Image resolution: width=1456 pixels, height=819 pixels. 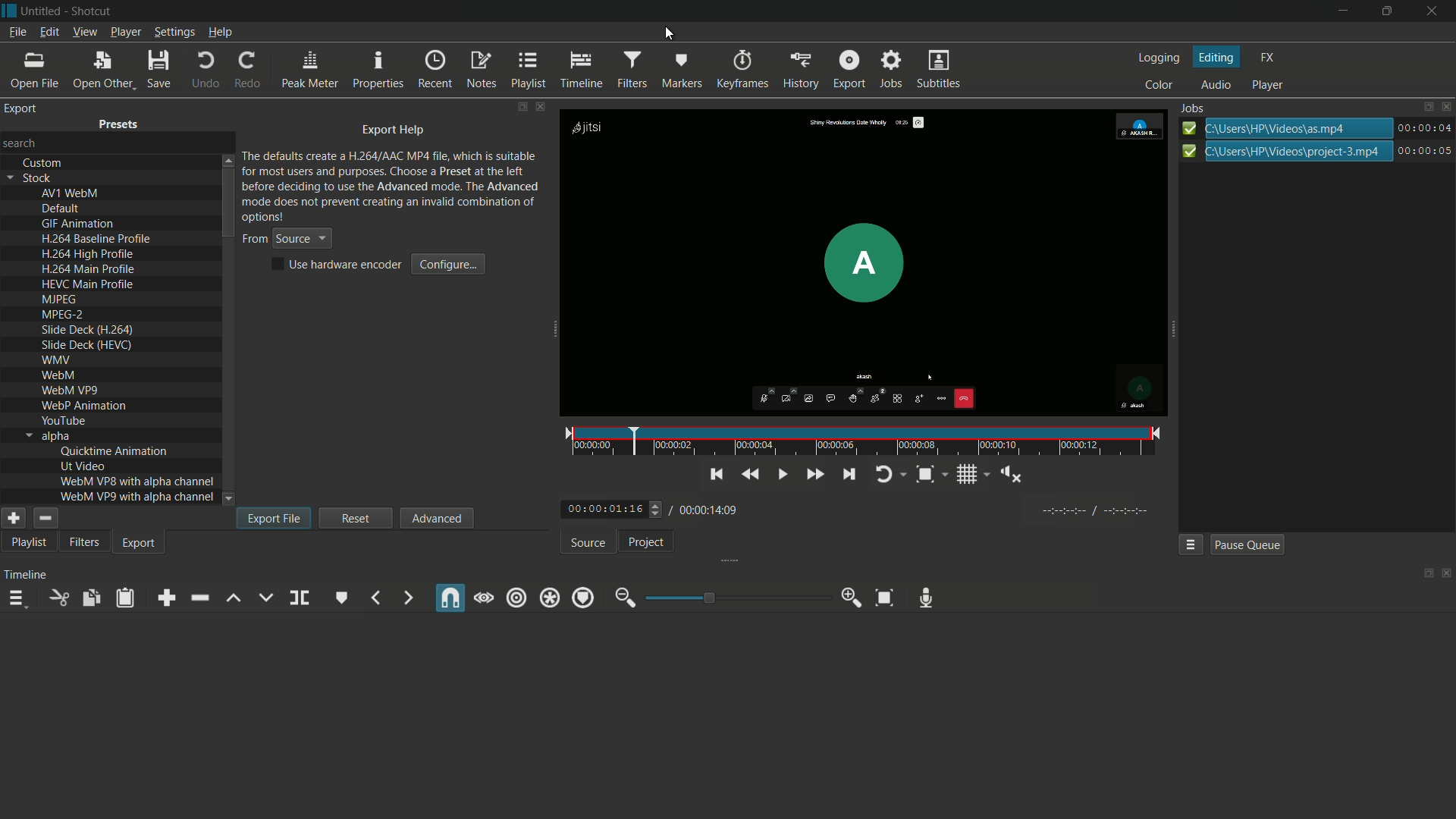 I want to click on remove export preset, so click(x=44, y=519).